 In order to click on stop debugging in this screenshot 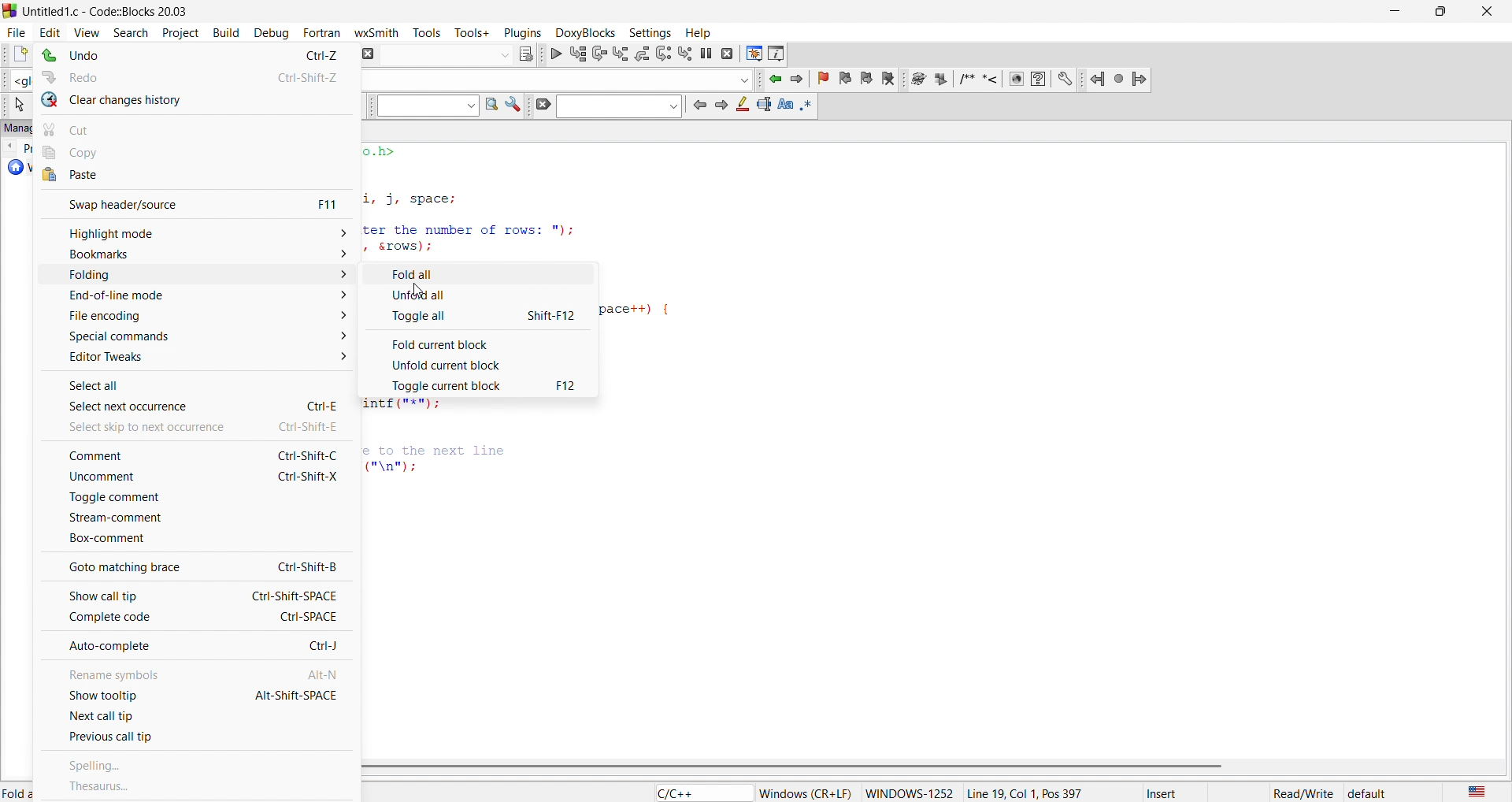, I will do `click(728, 54)`.